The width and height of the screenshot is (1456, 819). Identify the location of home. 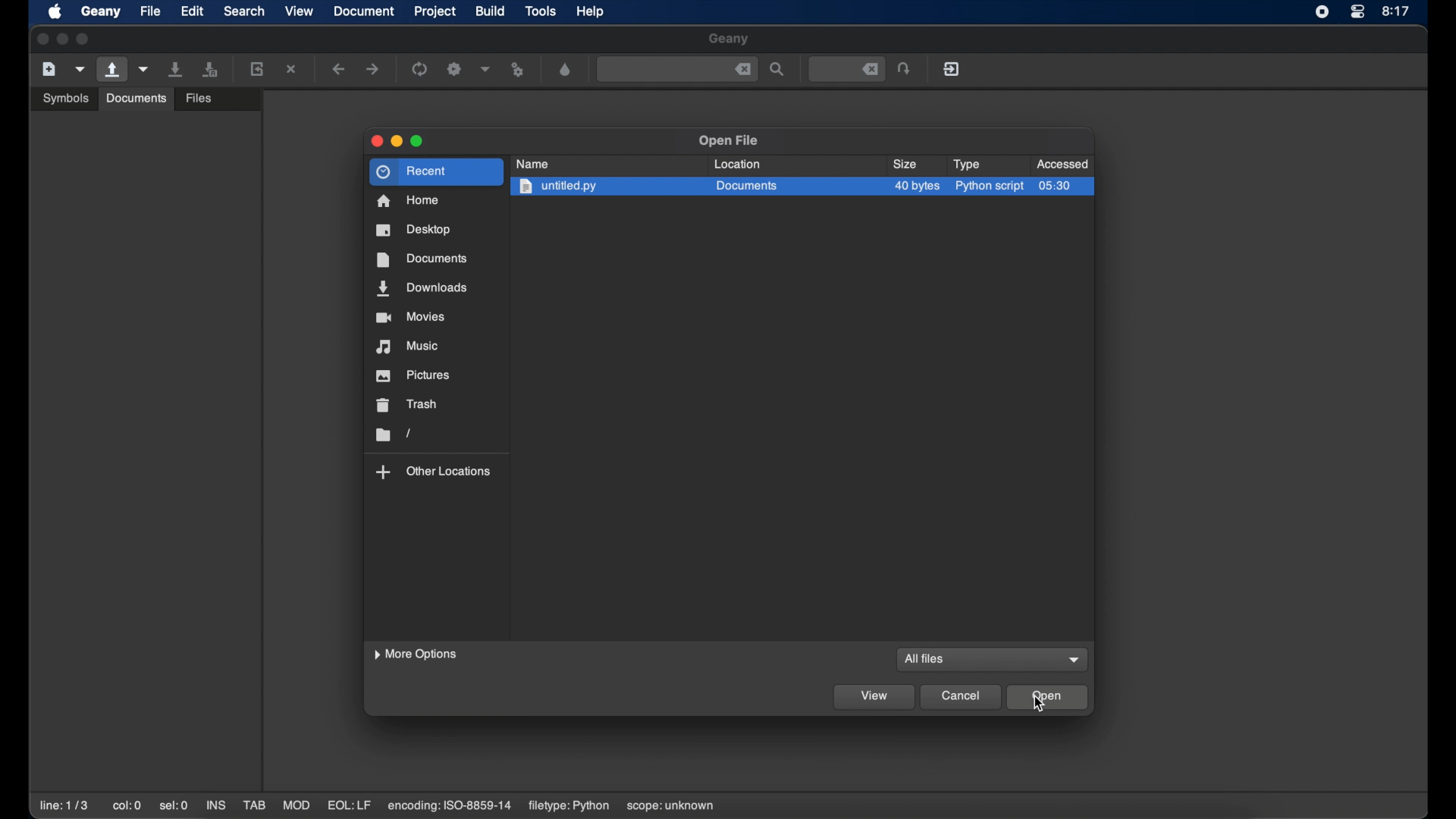
(408, 200).